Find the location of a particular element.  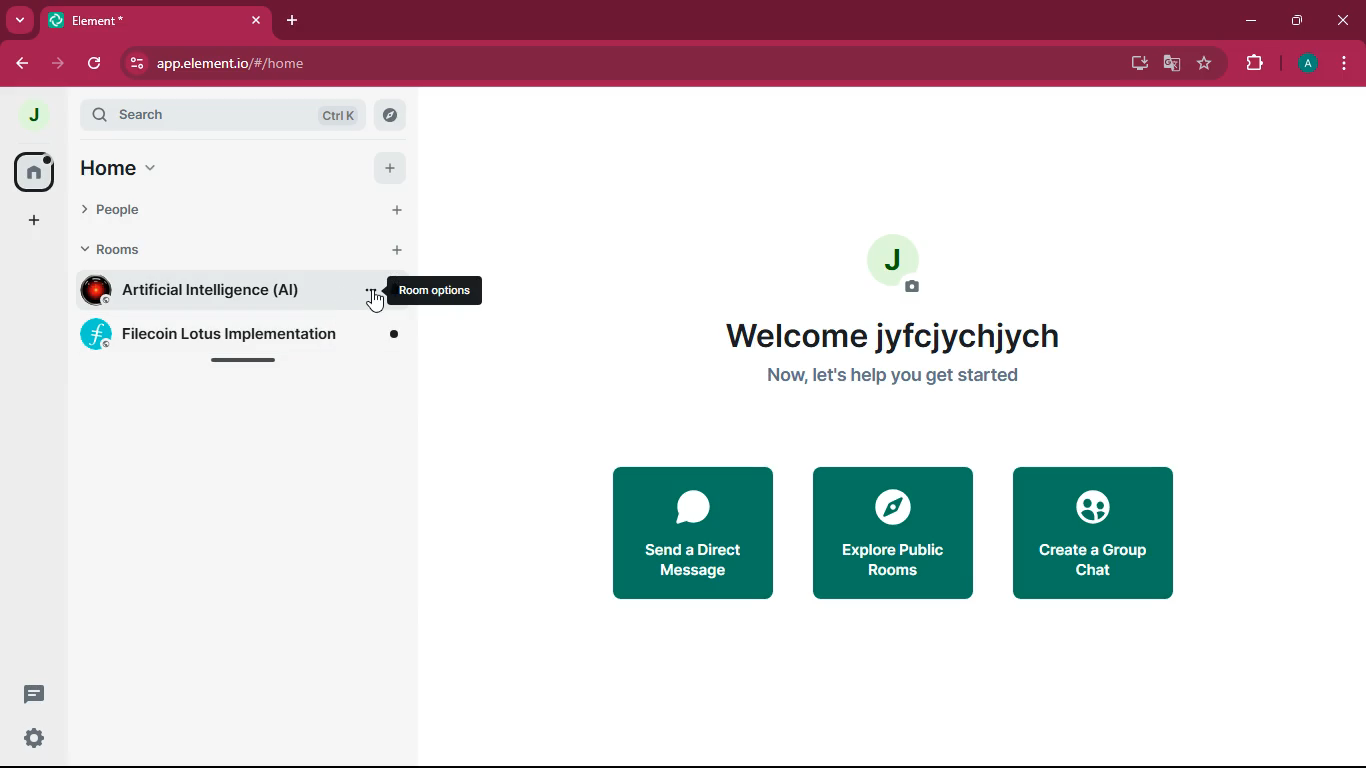

room options is located at coordinates (371, 293).